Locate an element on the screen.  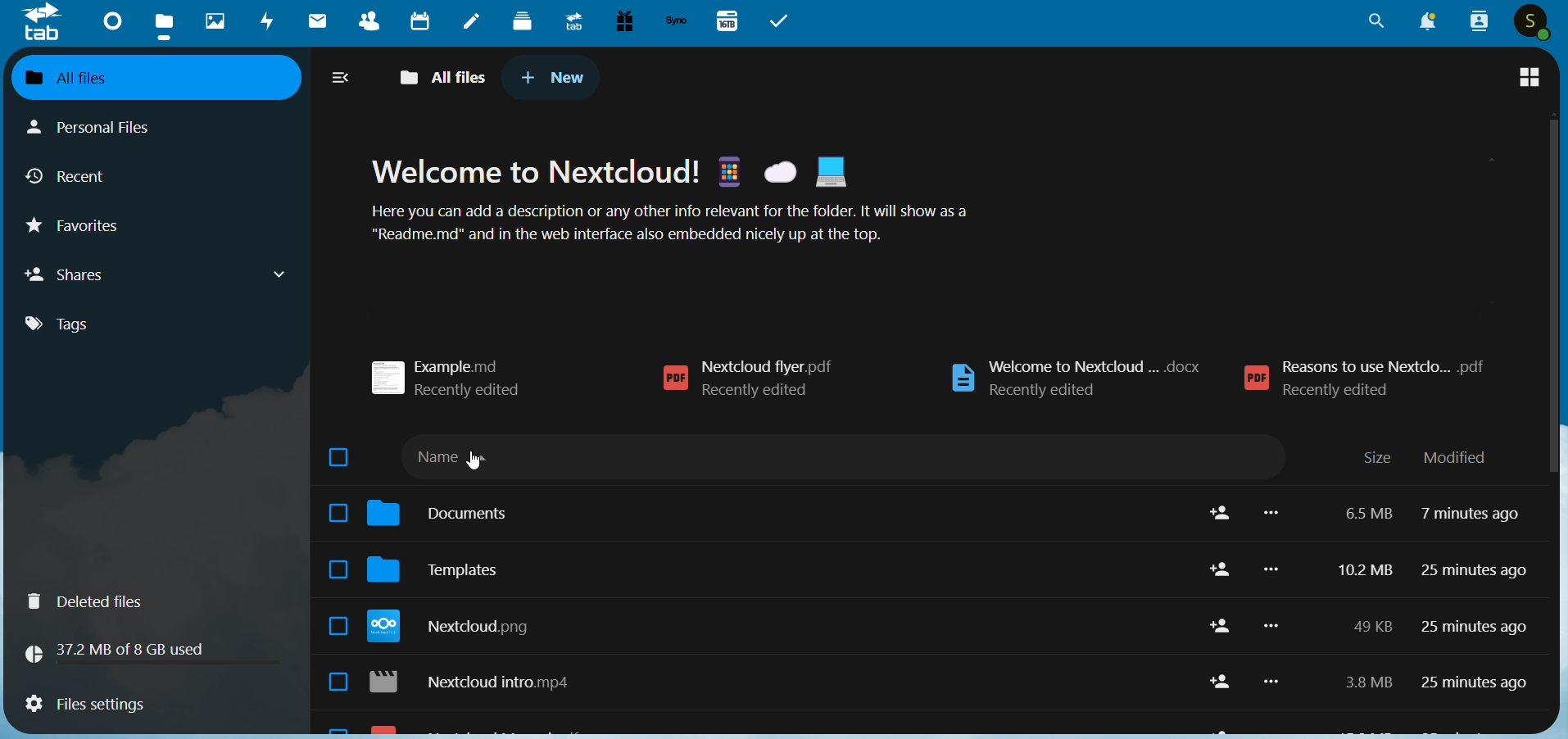
Mails is located at coordinates (316, 19).